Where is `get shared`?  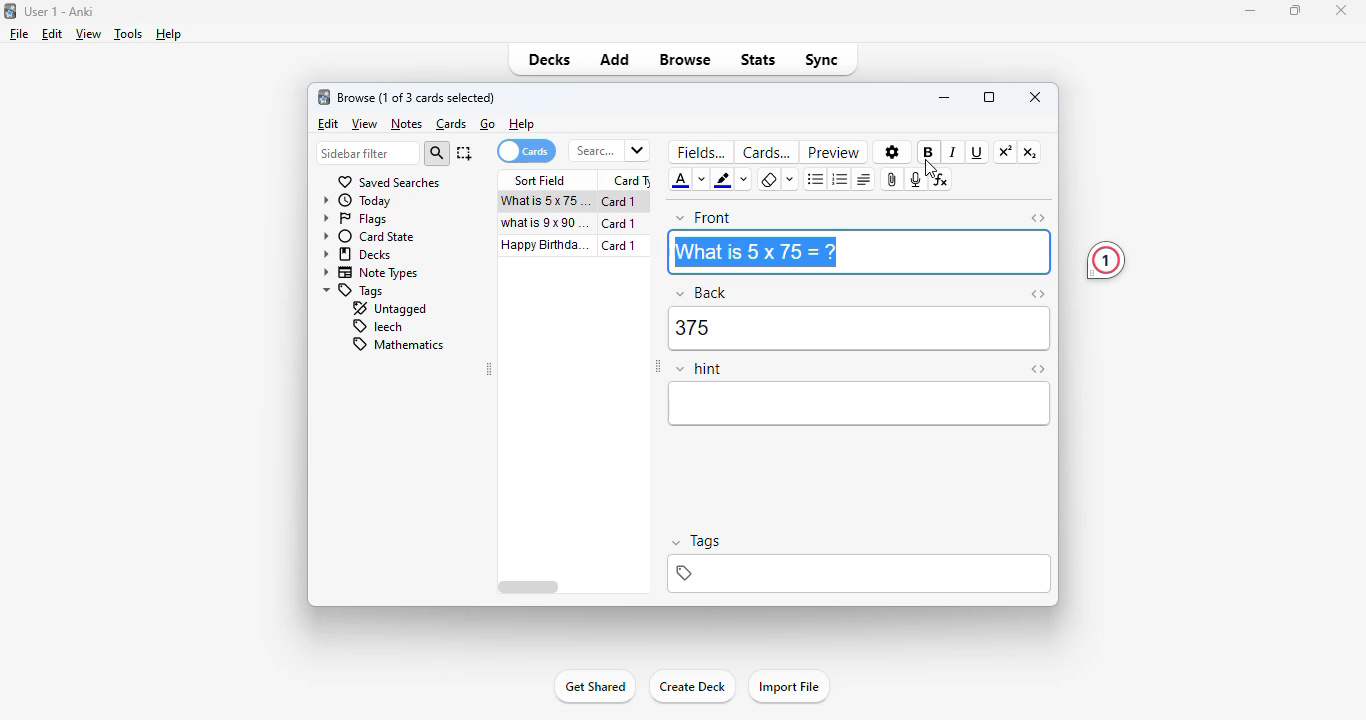
get shared is located at coordinates (594, 688).